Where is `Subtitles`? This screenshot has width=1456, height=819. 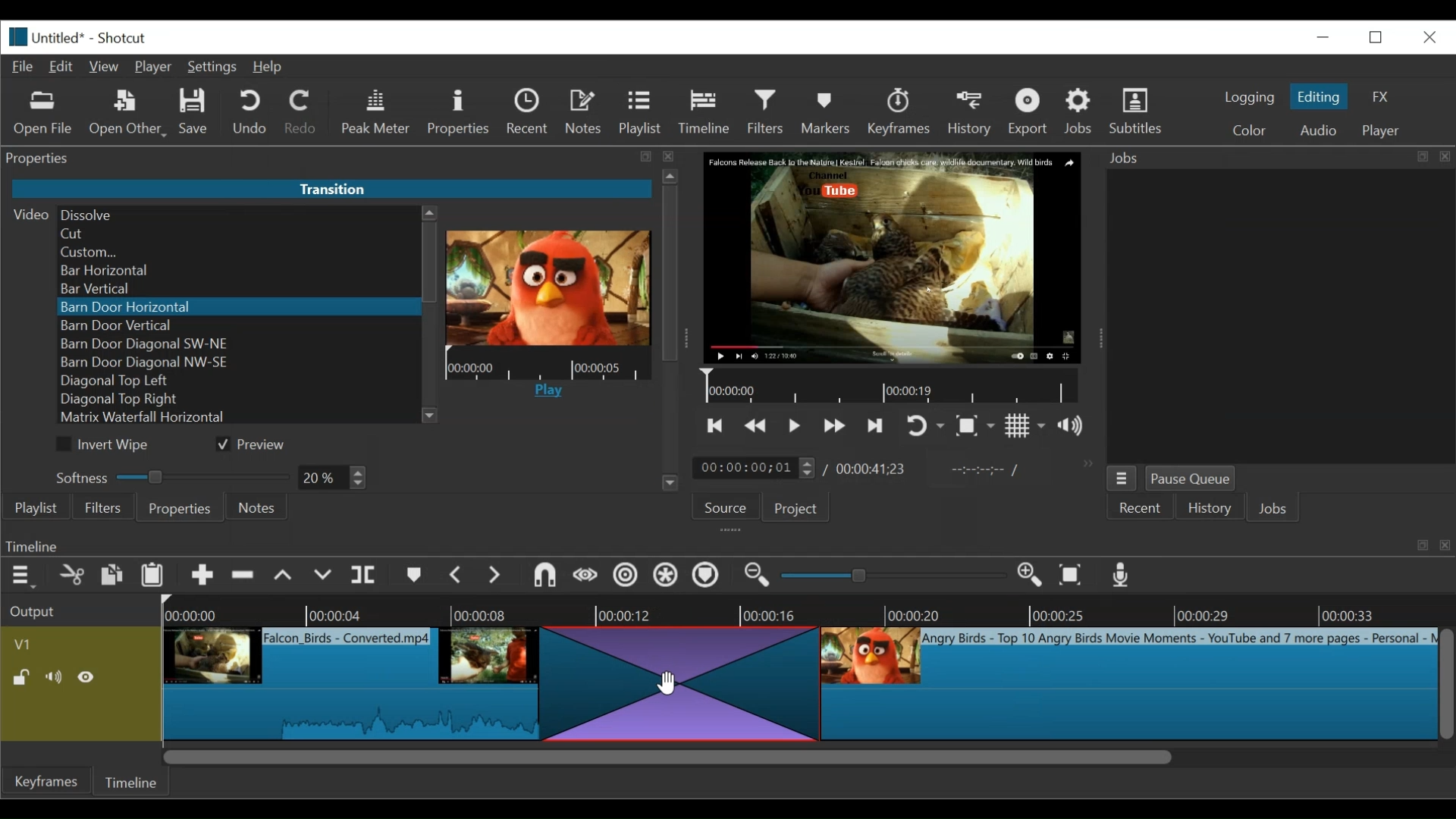
Subtitles is located at coordinates (1137, 111).